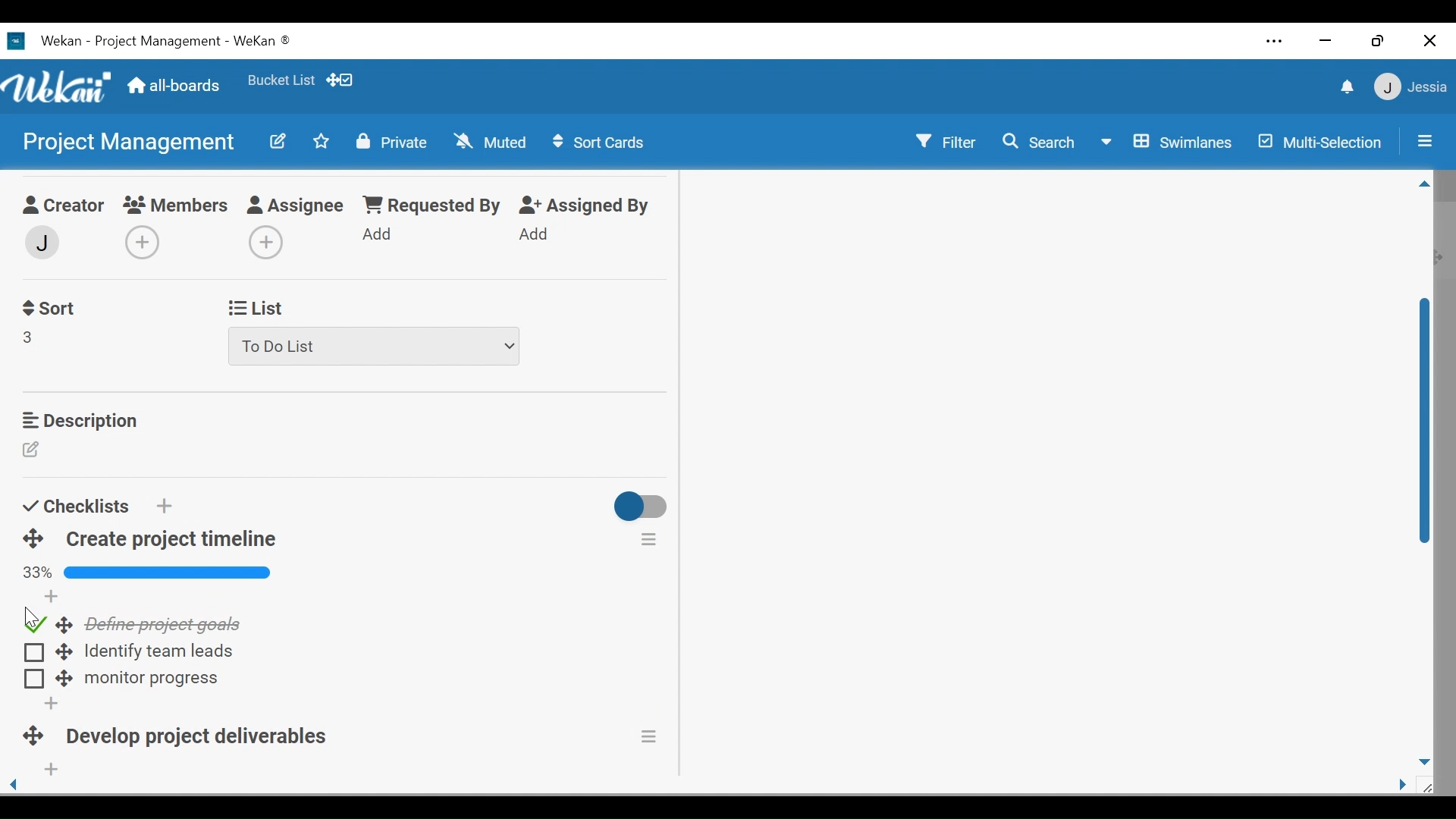  What do you see at coordinates (1426, 758) in the screenshot?
I see `page down` at bounding box center [1426, 758].